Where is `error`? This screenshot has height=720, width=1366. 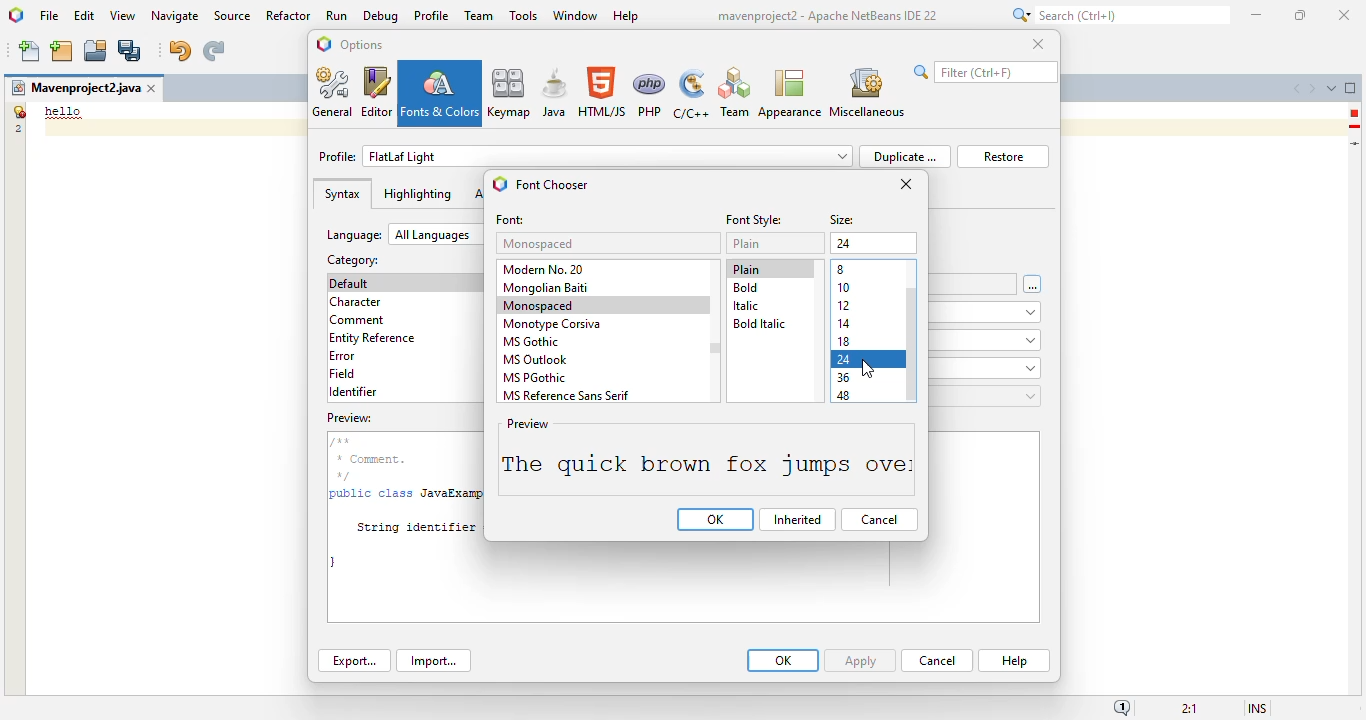 error is located at coordinates (1354, 113).